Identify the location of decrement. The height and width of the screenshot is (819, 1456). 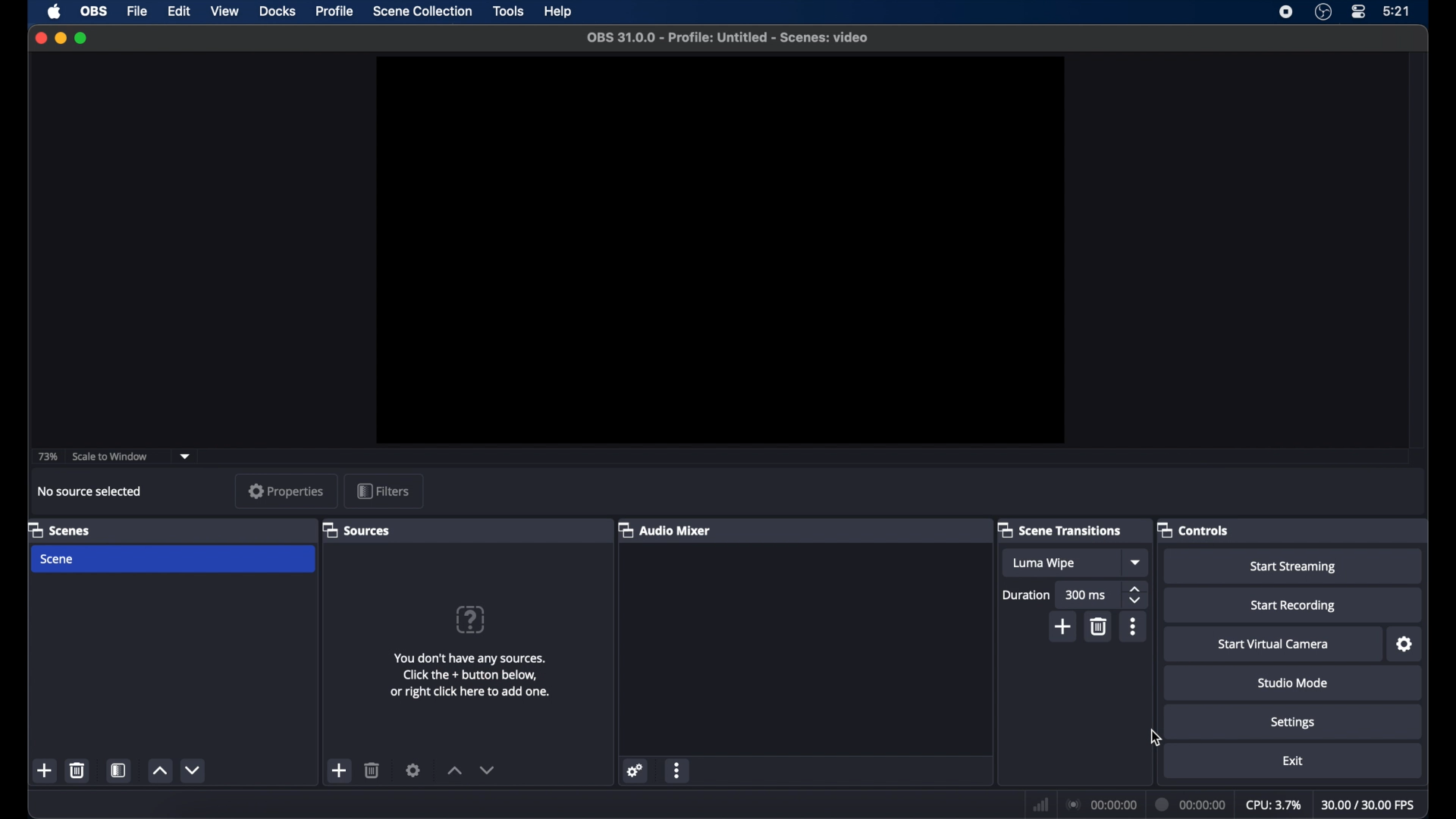
(487, 770).